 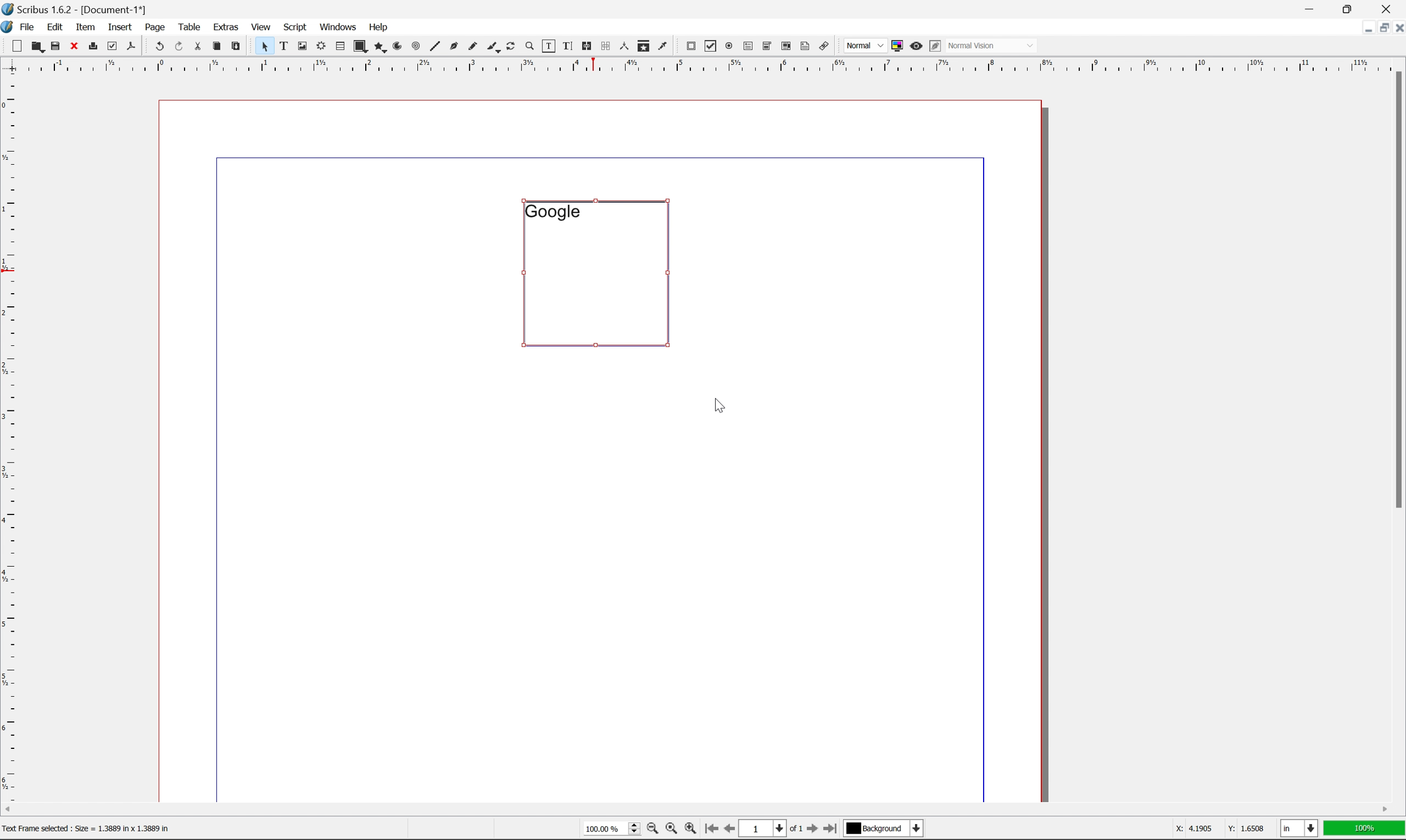 I want to click on cursor, so click(x=720, y=403).